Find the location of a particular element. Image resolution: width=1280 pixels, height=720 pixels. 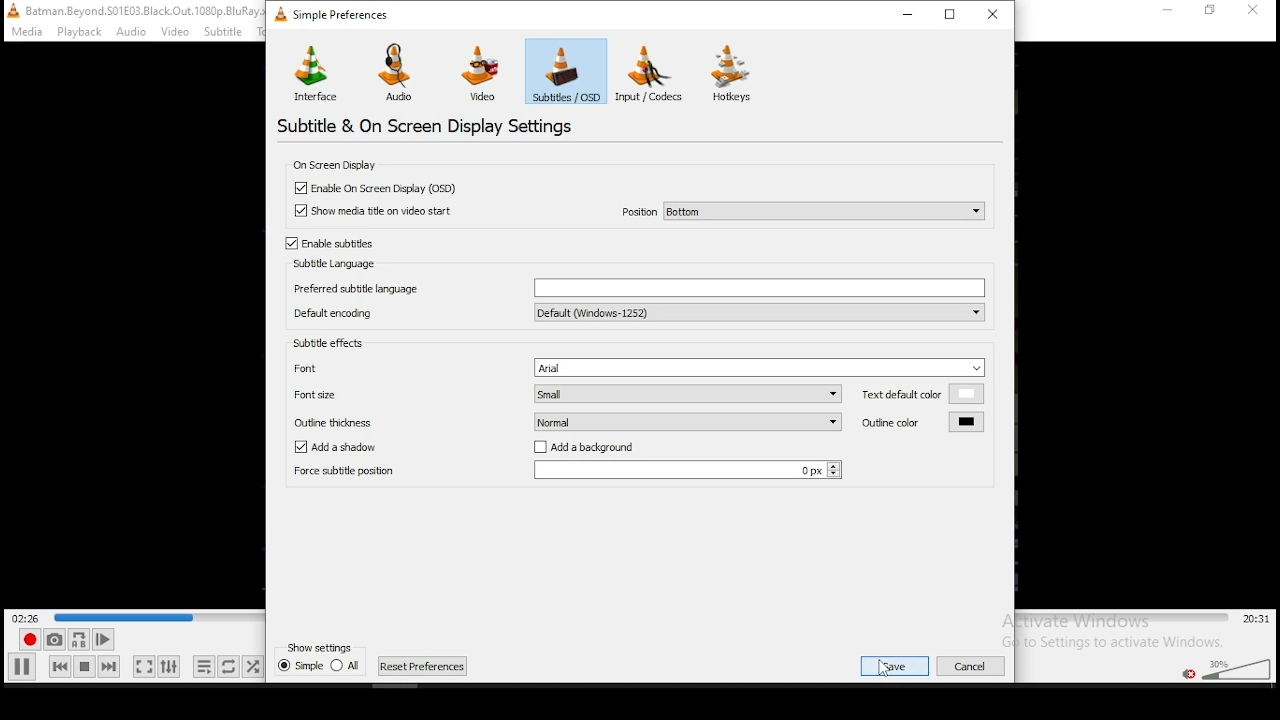

smaller is located at coordinates (687, 421).